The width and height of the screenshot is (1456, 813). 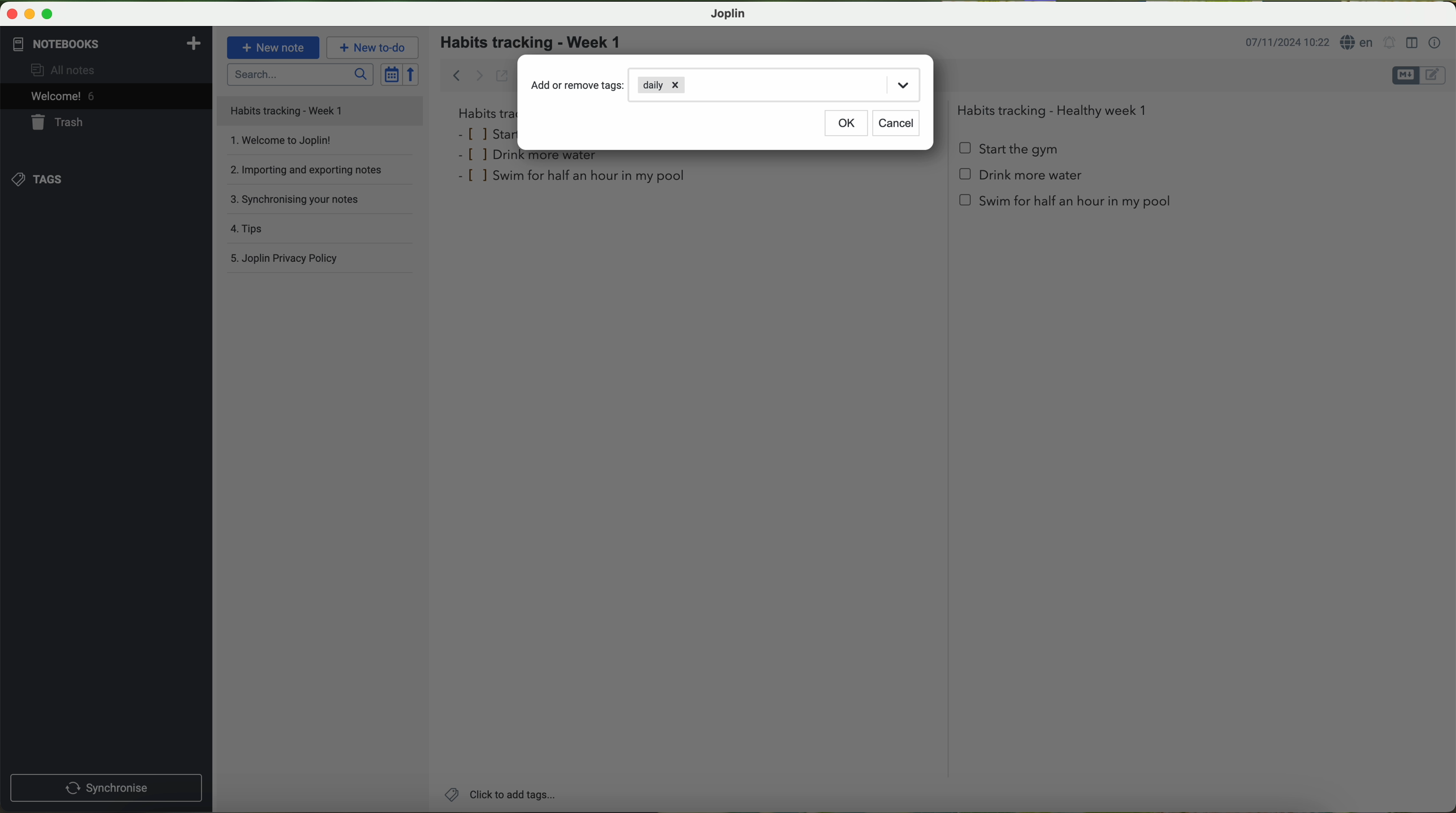 What do you see at coordinates (274, 47) in the screenshot?
I see `new note button` at bounding box center [274, 47].